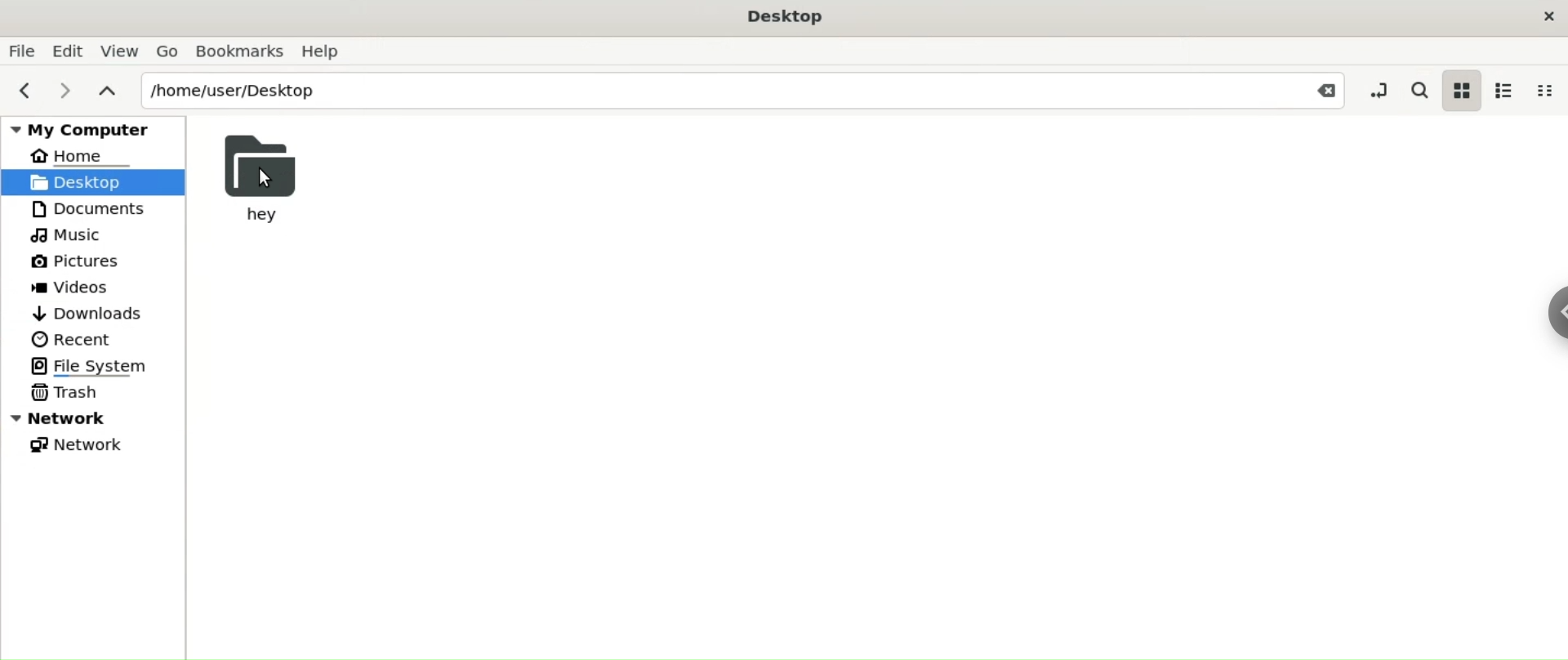  Describe the element at coordinates (91, 181) in the screenshot. I see `Desktop` at that location.